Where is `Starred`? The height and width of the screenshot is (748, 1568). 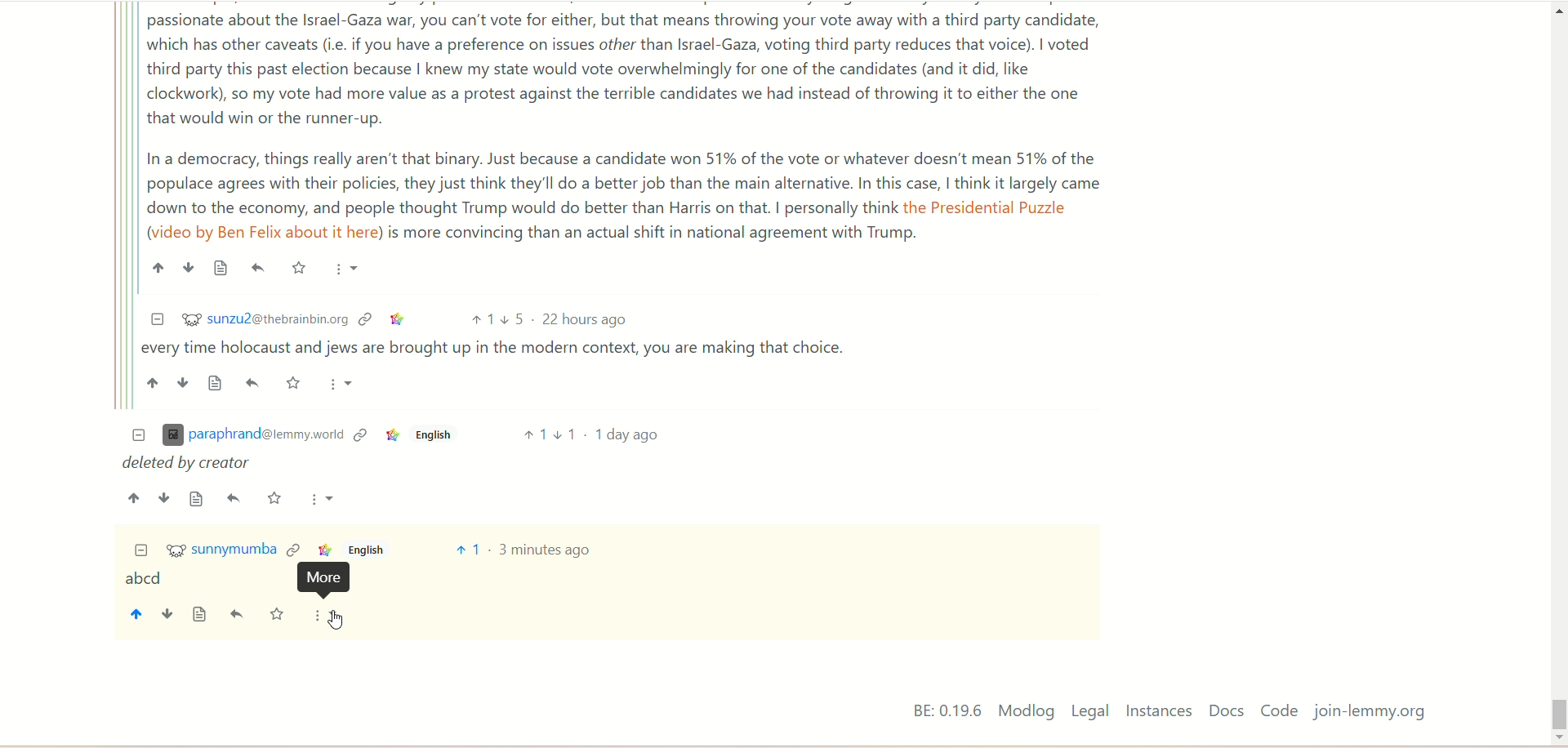
Starred is located at coordinates (275, 497).